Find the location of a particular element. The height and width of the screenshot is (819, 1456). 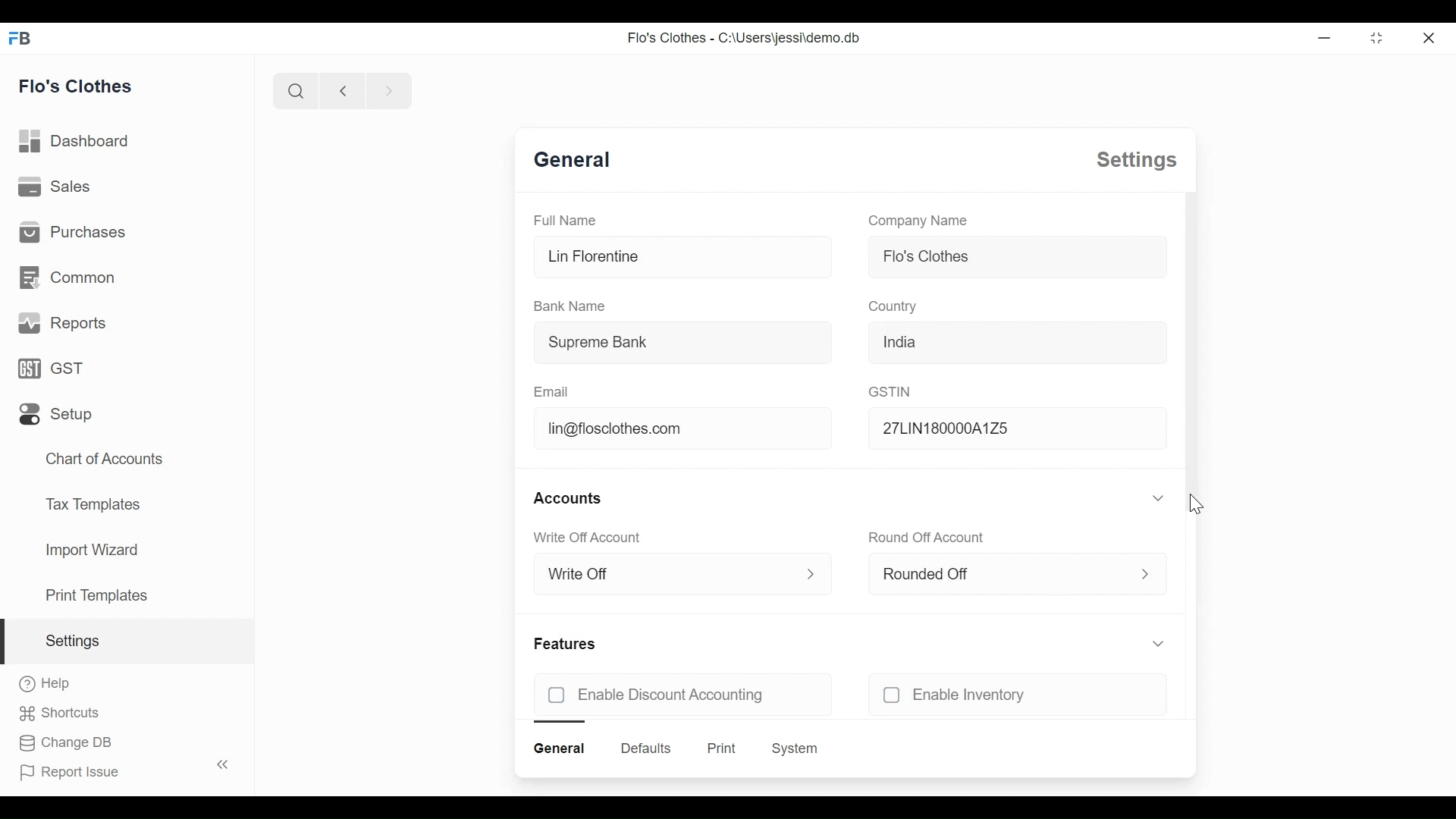

Country is located at coordinates (893, 306).